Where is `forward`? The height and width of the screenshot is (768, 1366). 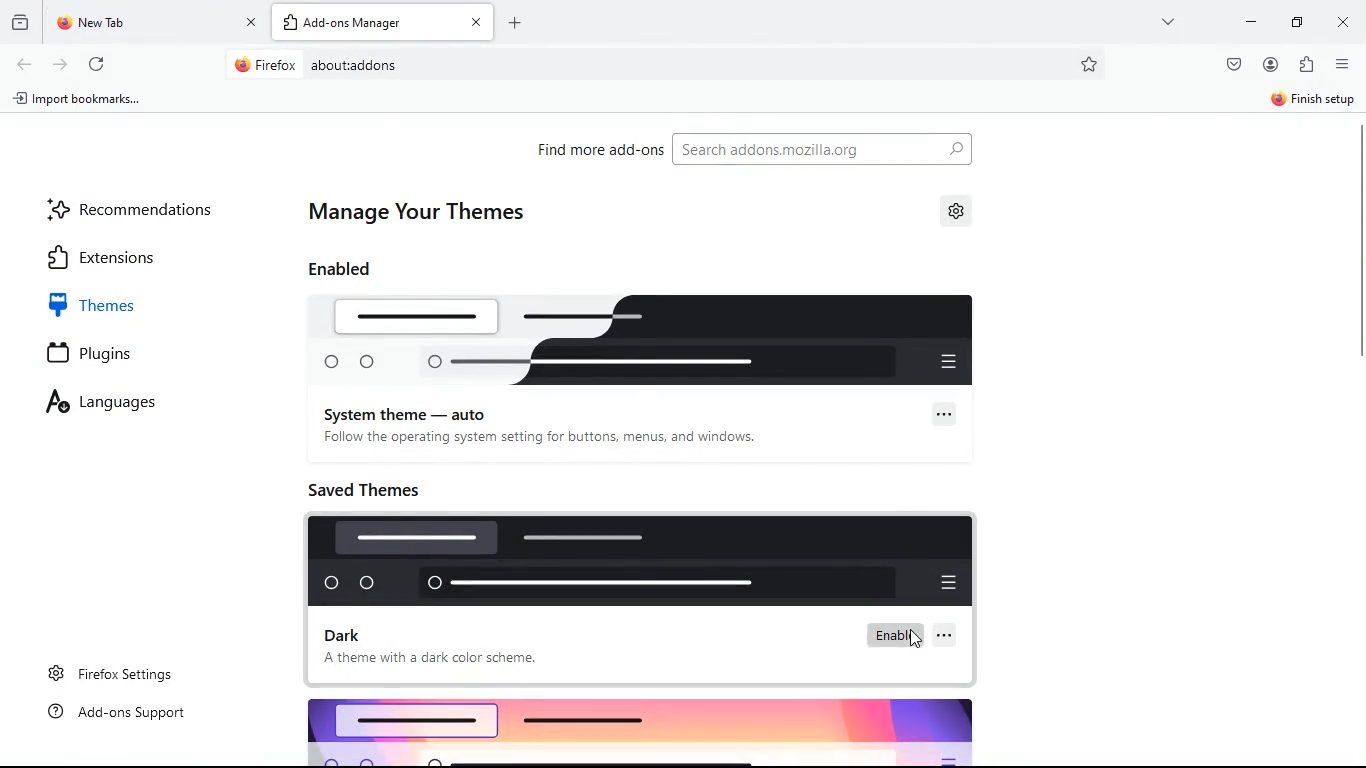 forward is located at coordinates (59, 63).